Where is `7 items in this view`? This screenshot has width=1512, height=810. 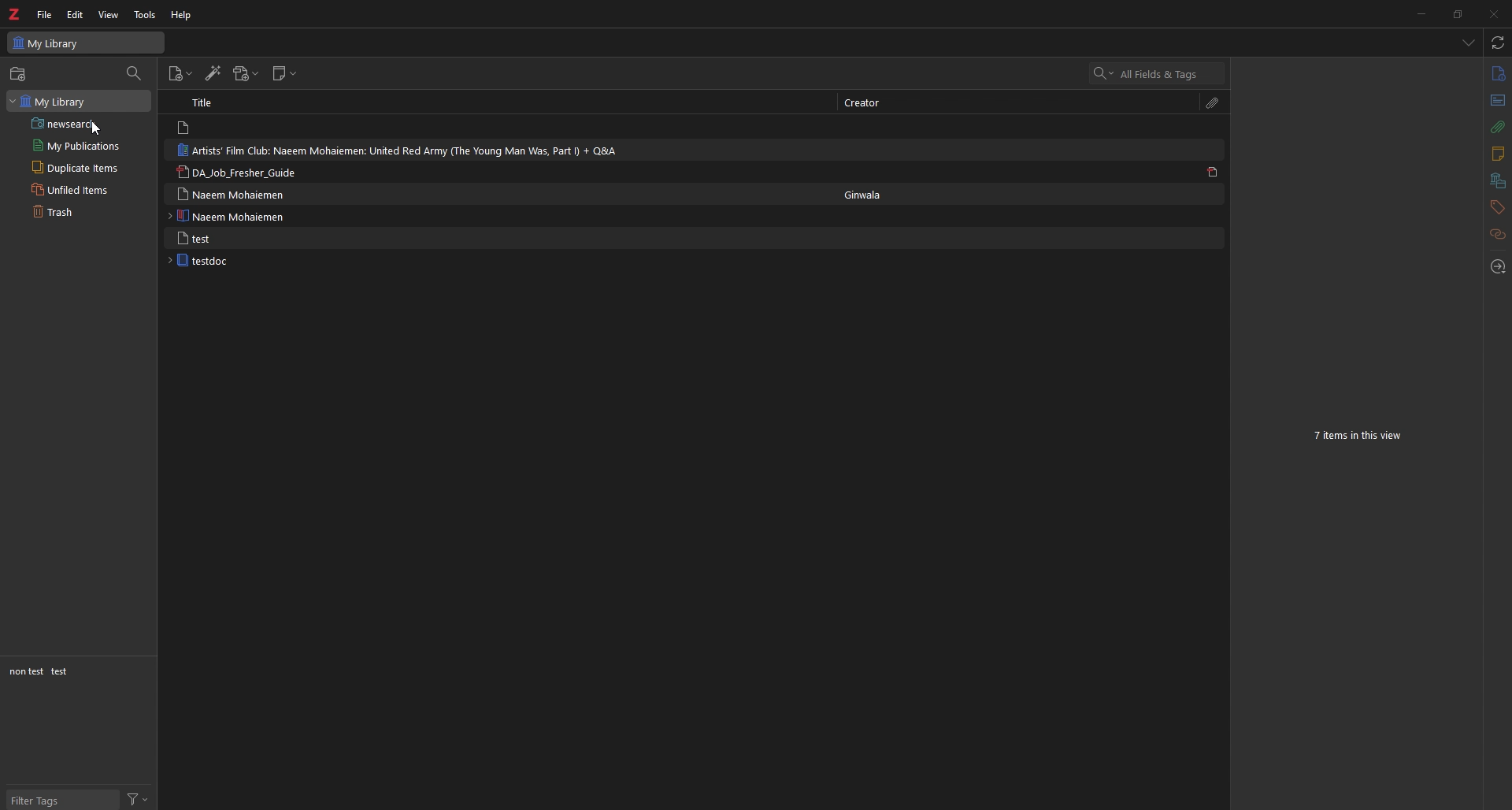
7 items in this view is located at coordinates (1358, 434).